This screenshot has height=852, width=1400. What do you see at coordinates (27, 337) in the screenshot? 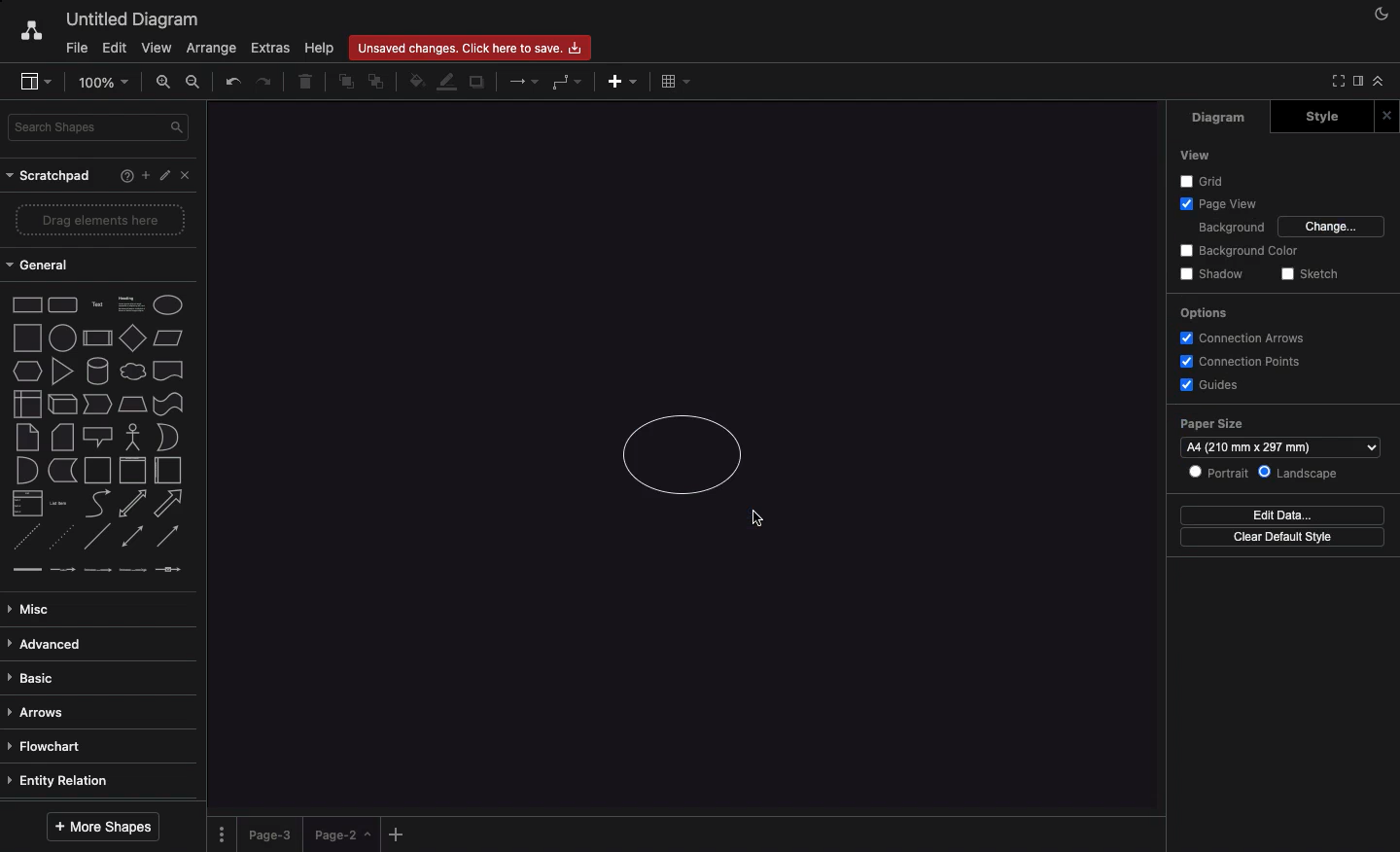
I see `square` at bounding box center [27, 337].